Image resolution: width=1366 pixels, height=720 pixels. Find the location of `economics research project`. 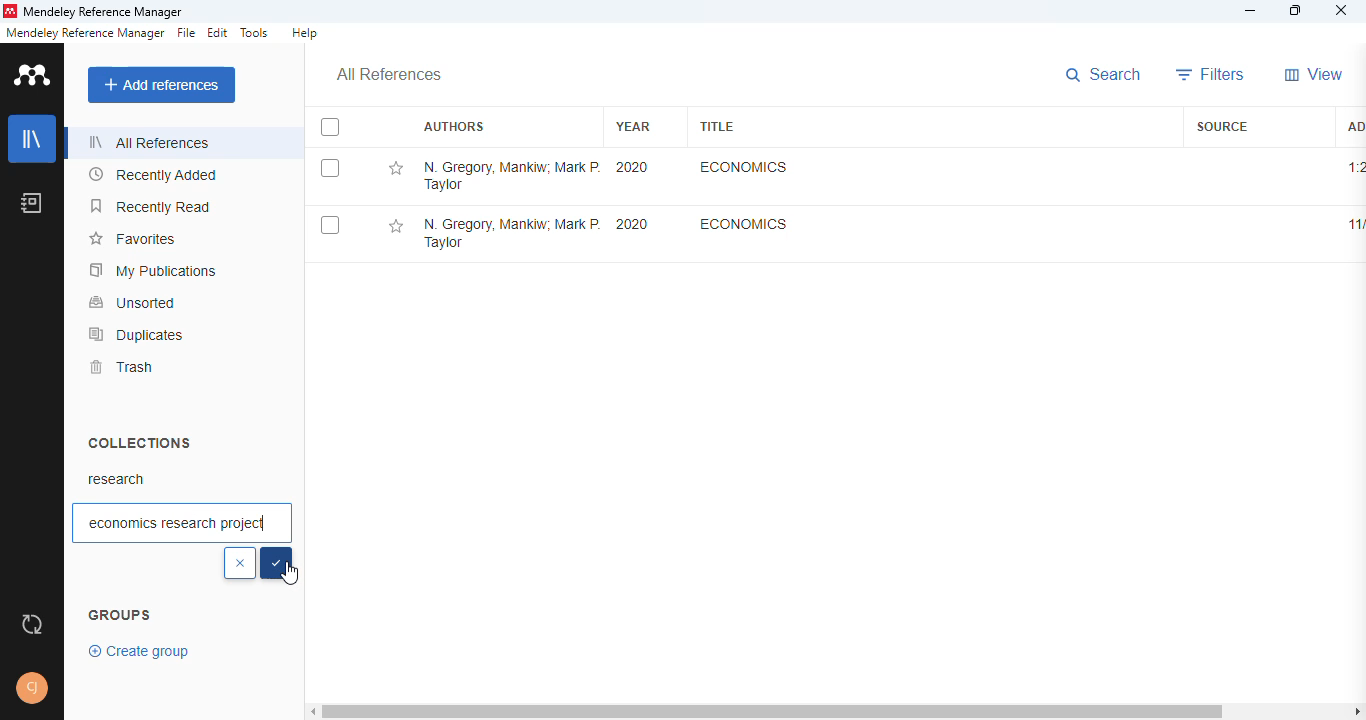

economics research project is located at coordinates (182, 523).